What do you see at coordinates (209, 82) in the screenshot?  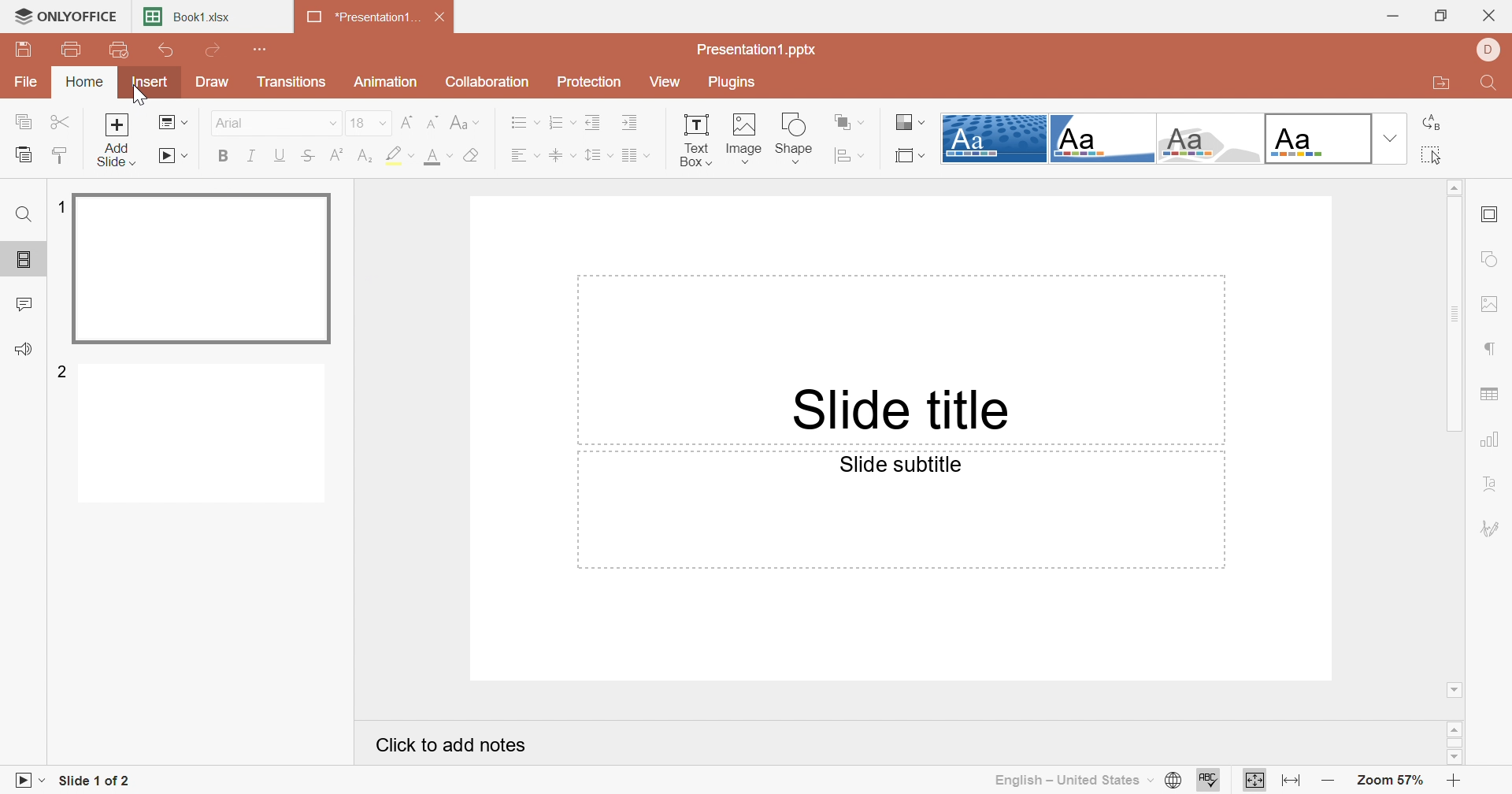 I see `Draw` at bounding box center [209, 82].